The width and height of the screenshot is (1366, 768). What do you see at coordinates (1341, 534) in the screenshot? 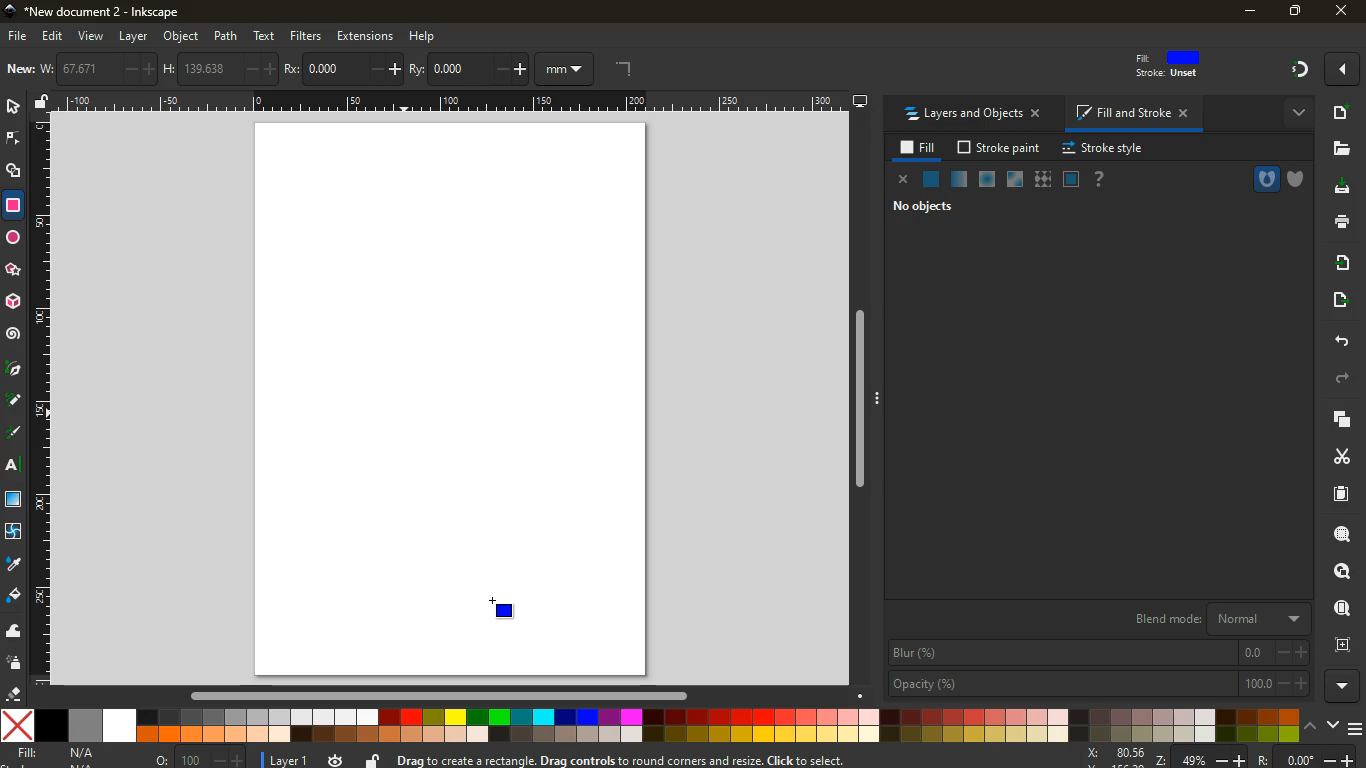
I see `search` at bounding box center [1341, 534].